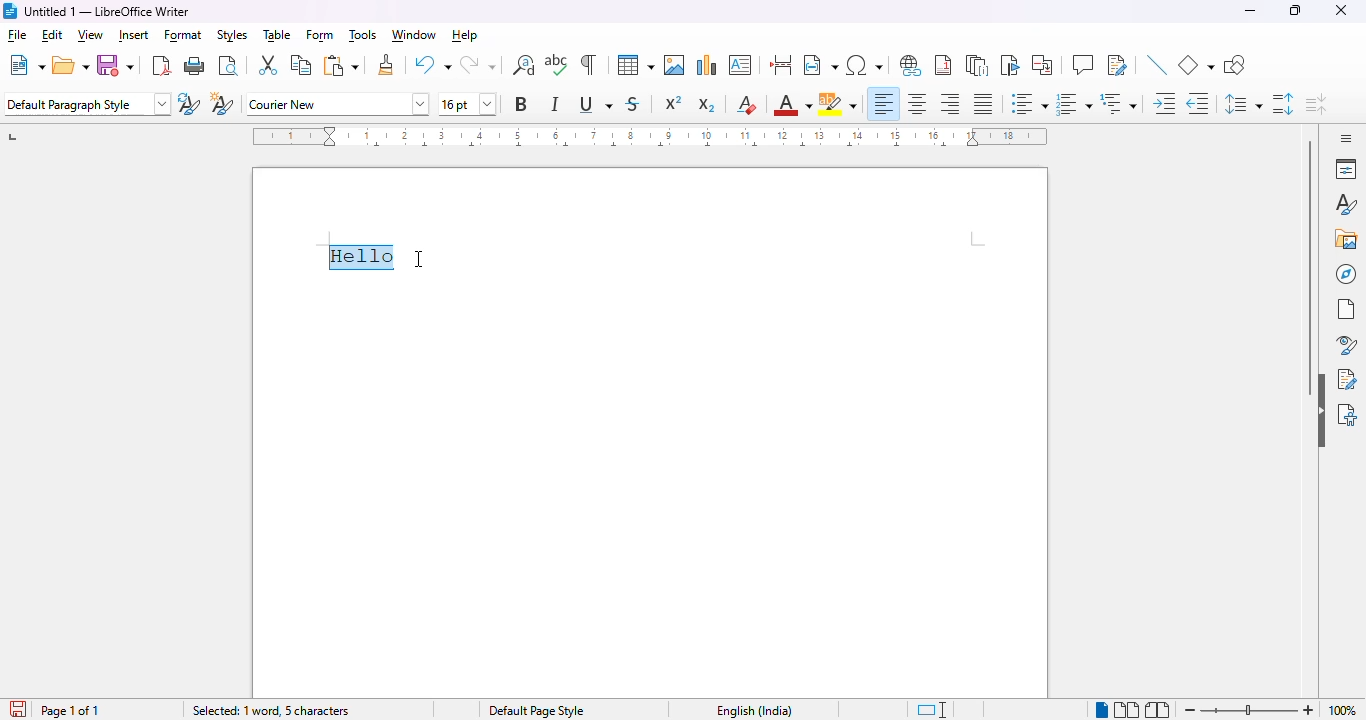 The height and width of the screenshot is (720, 1366). What do you see at coordinates (71, 710) in the screenshot?
I see `page of 1 of 1` at bounding box center [71, 710].